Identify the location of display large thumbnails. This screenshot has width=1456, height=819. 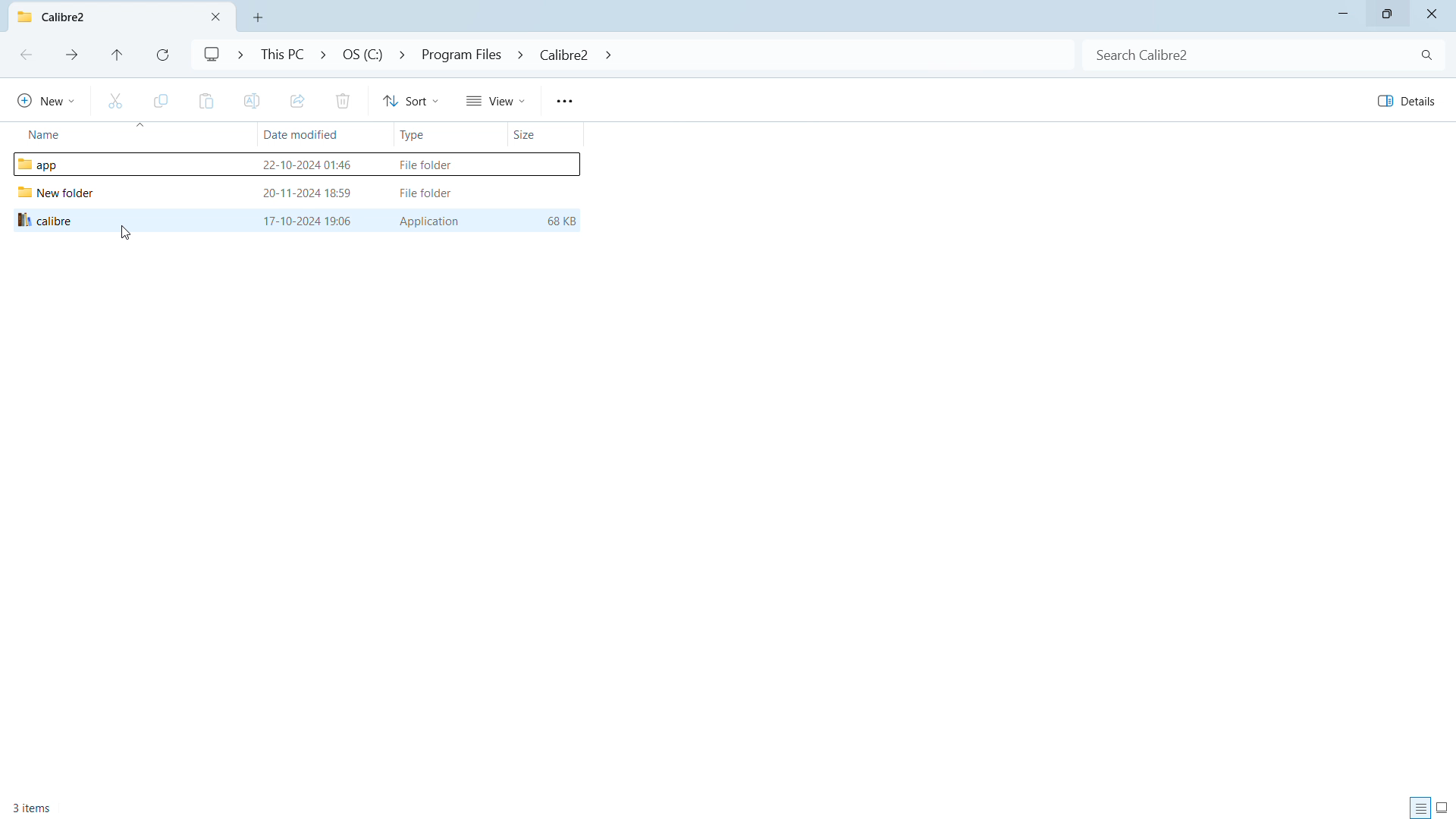
(1442, 808).